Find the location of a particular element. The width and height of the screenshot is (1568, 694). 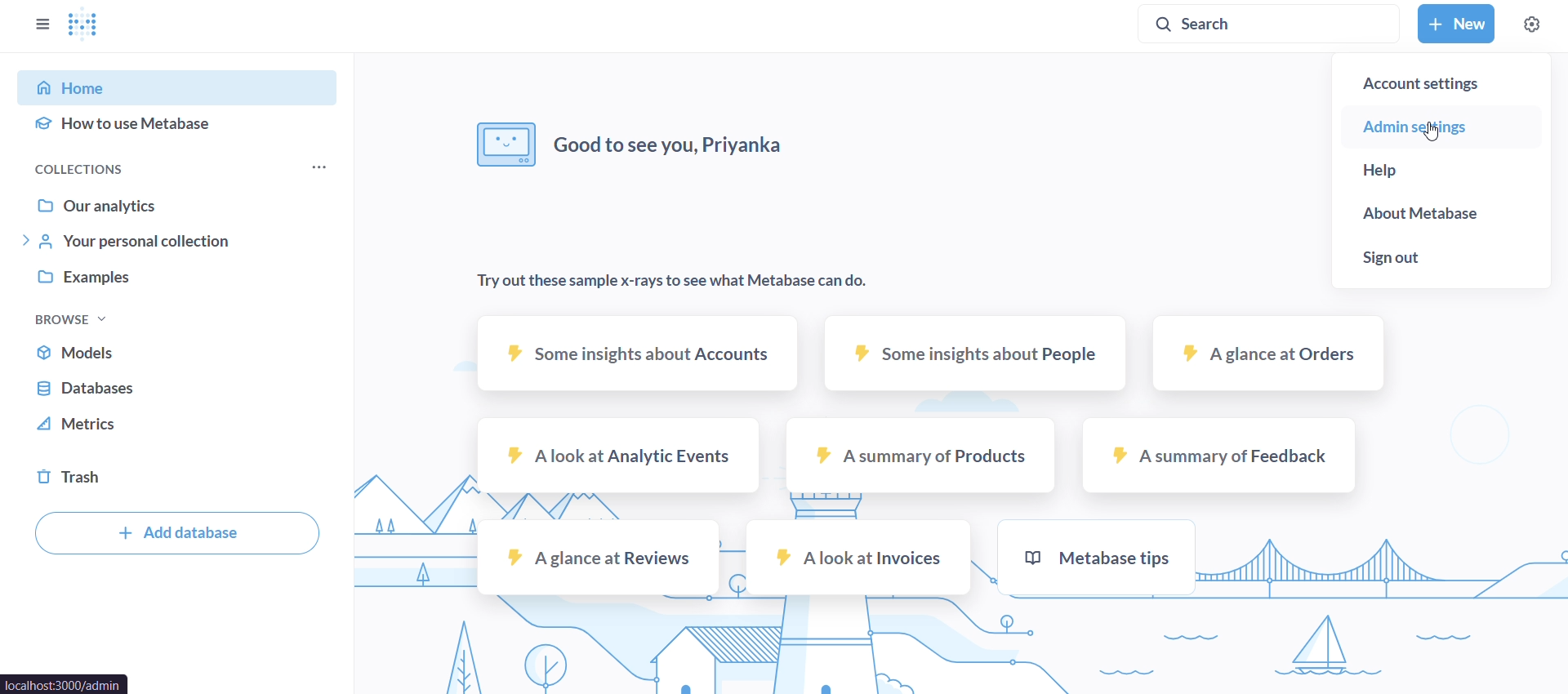

url is located at coordinates (65, 683).